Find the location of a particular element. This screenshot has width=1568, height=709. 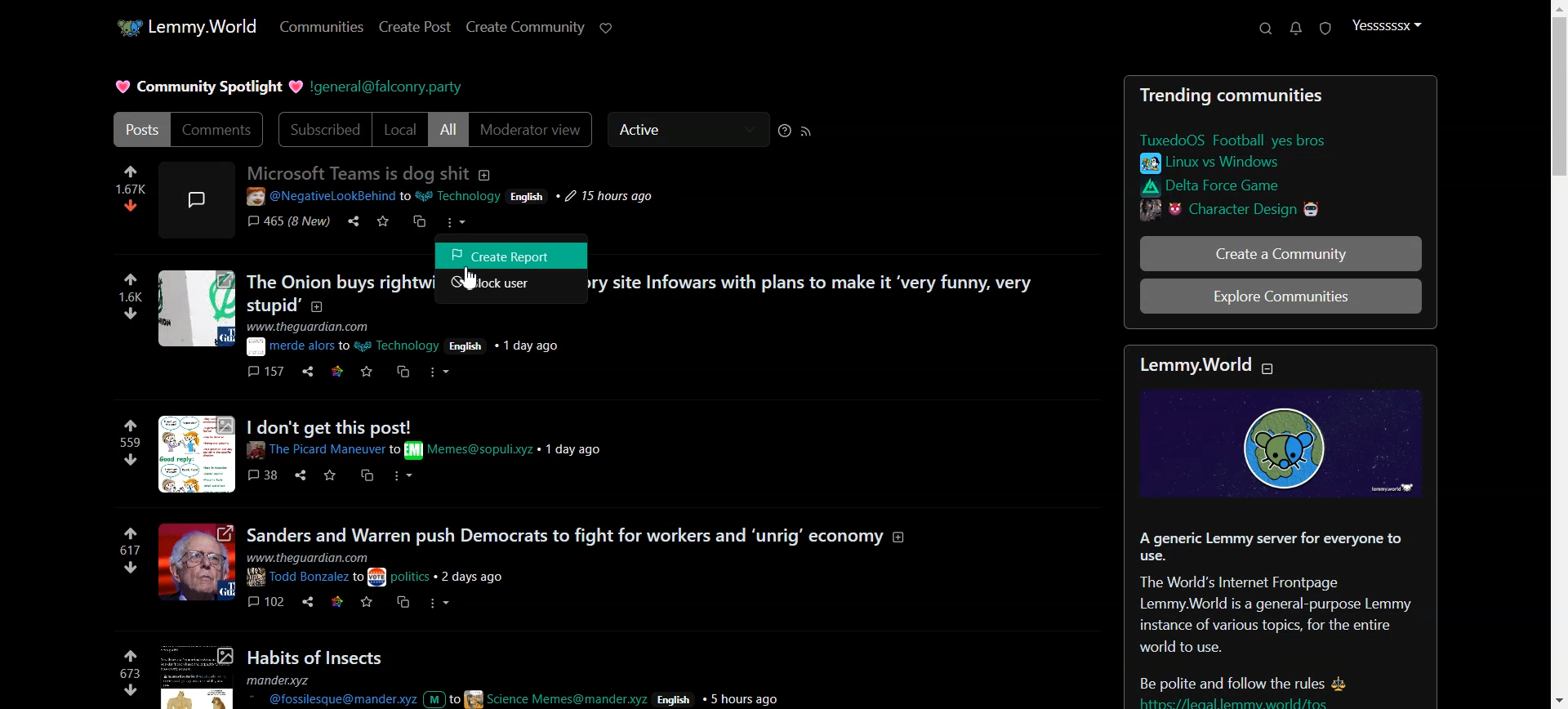

Cursor is located at coordinates (470, 279).